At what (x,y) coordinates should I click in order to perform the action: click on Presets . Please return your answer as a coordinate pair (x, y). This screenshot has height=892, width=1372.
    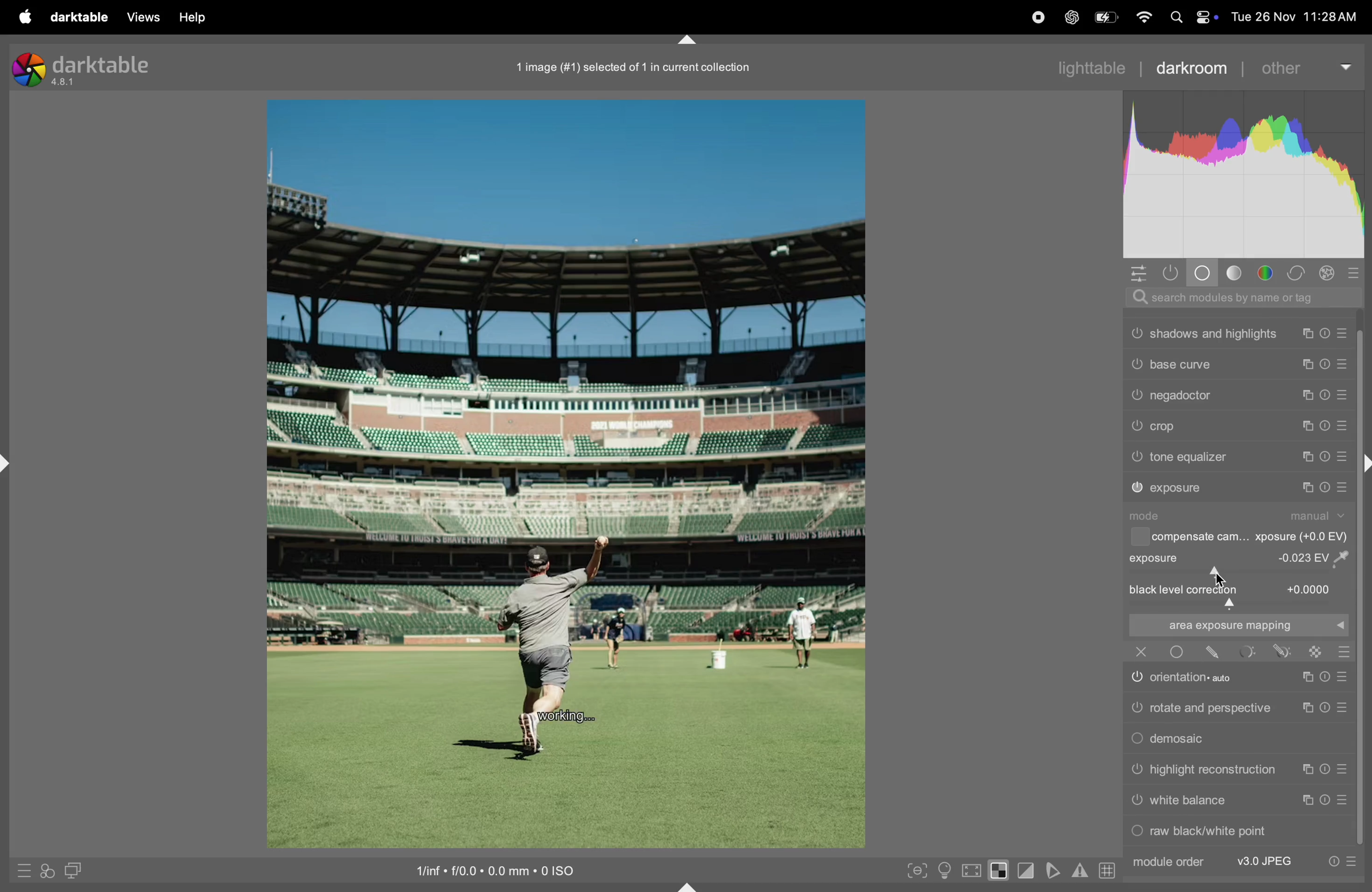
    Looking at the image, I should click on (1342, 366).